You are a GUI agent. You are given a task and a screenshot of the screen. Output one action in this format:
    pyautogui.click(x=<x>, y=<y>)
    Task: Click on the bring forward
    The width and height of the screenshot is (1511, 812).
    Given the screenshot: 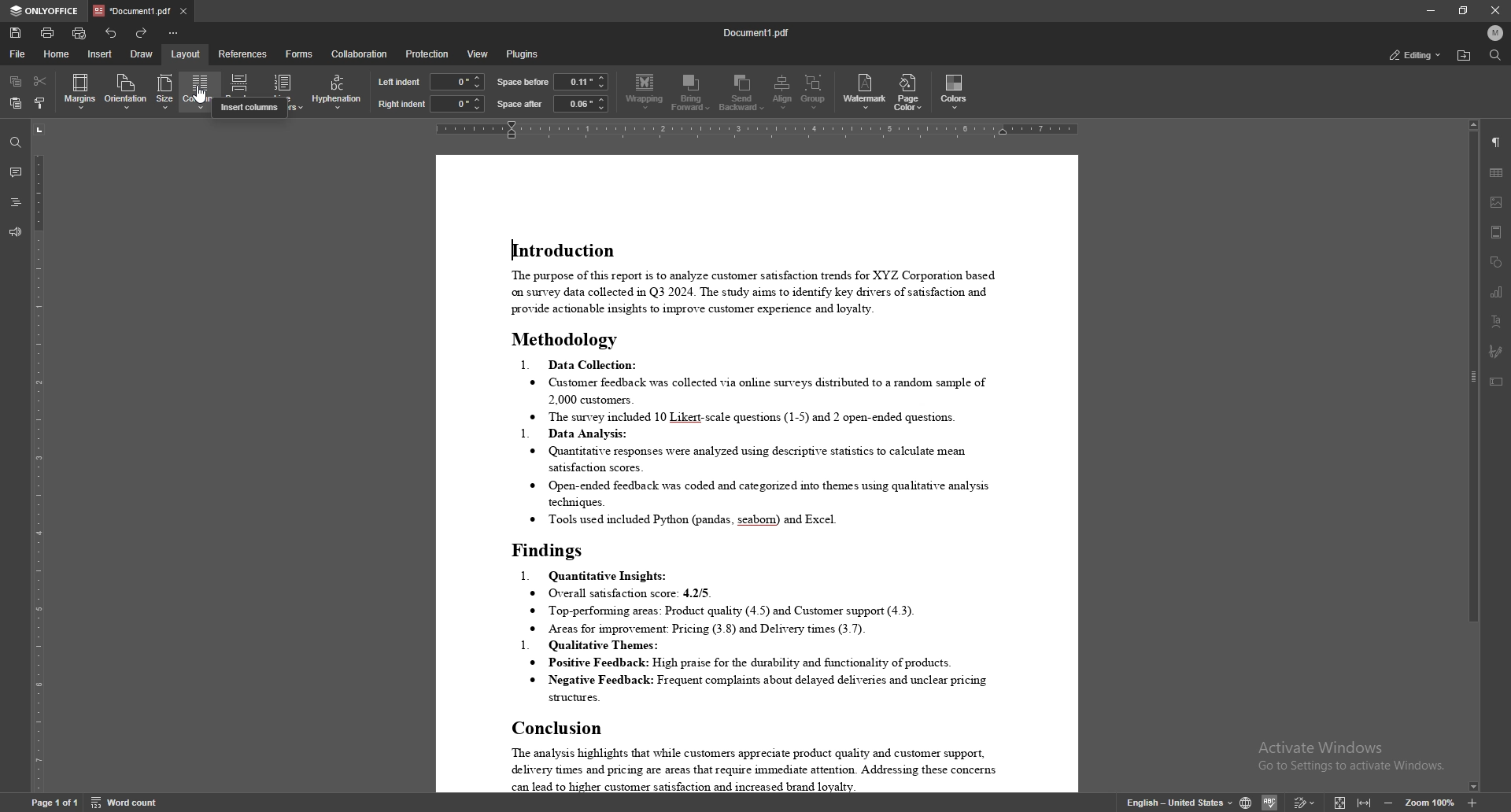 What is the action you would take?
    pyautogui.click(x=692, y=92)
    